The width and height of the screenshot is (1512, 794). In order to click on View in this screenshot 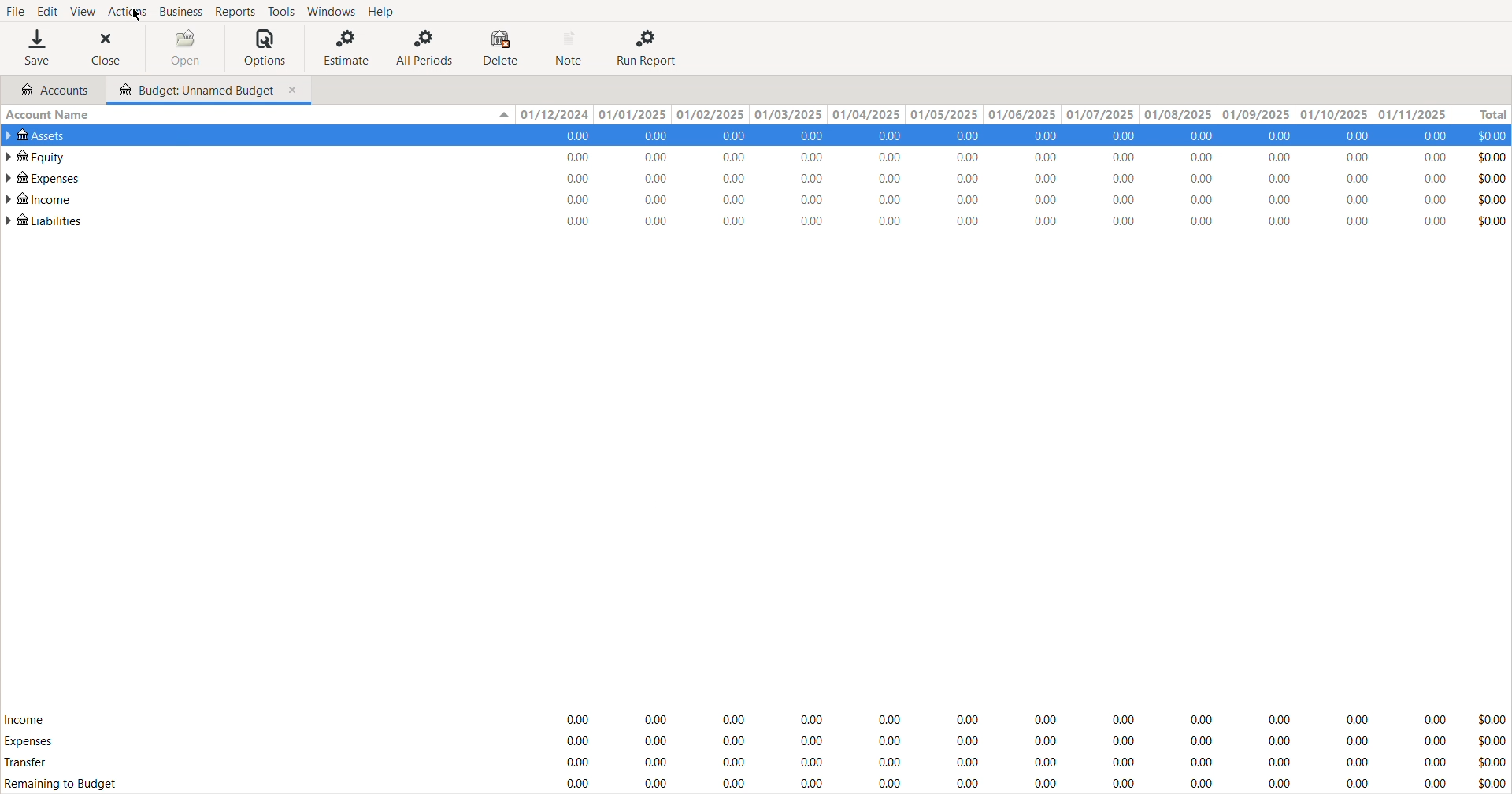, I will do `click(81, 10)`.